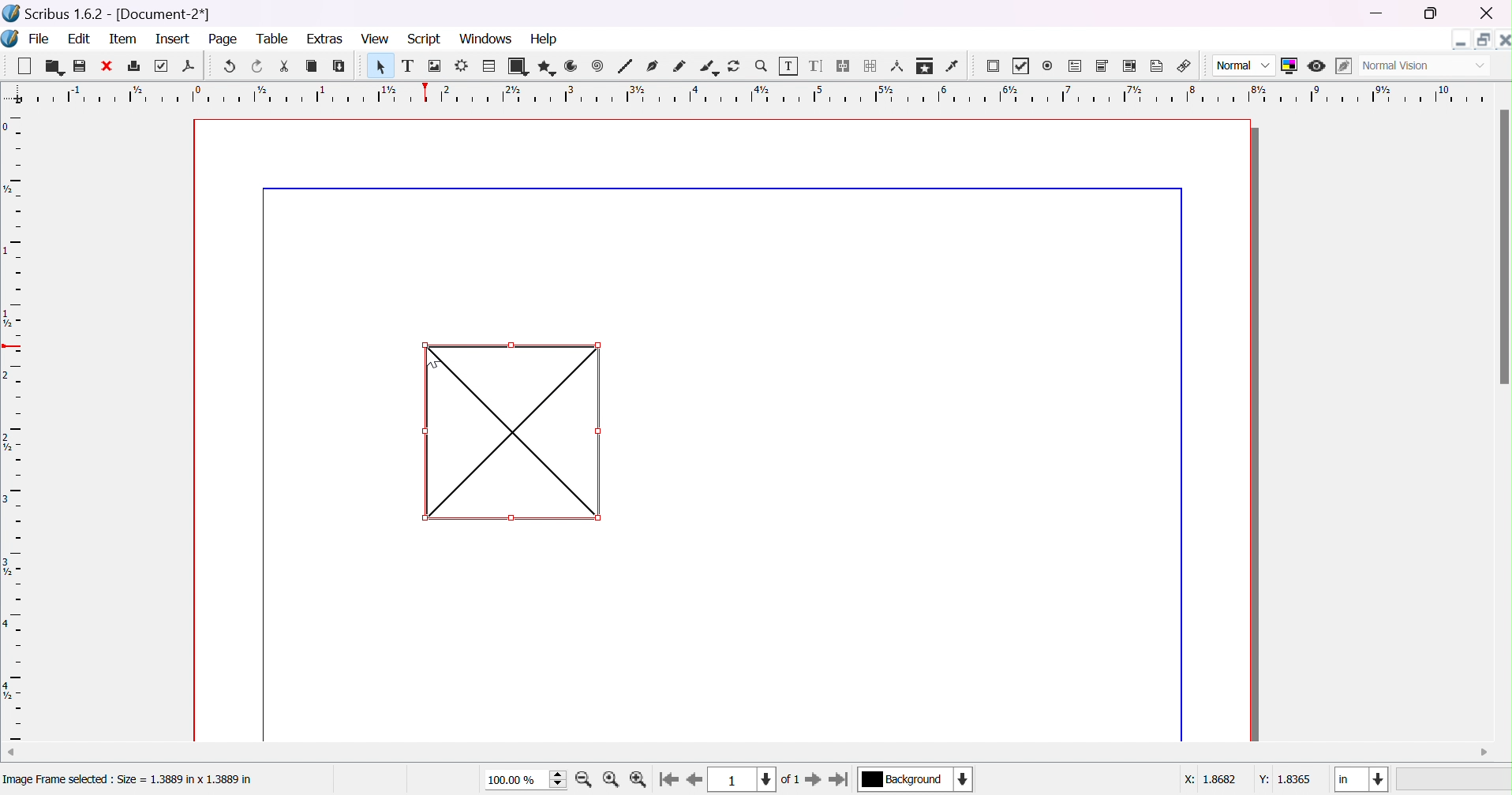  What do you see at coordinates (955, 66) in the screenshot?
I see `eye dropper` at bounding box center [955, 66].